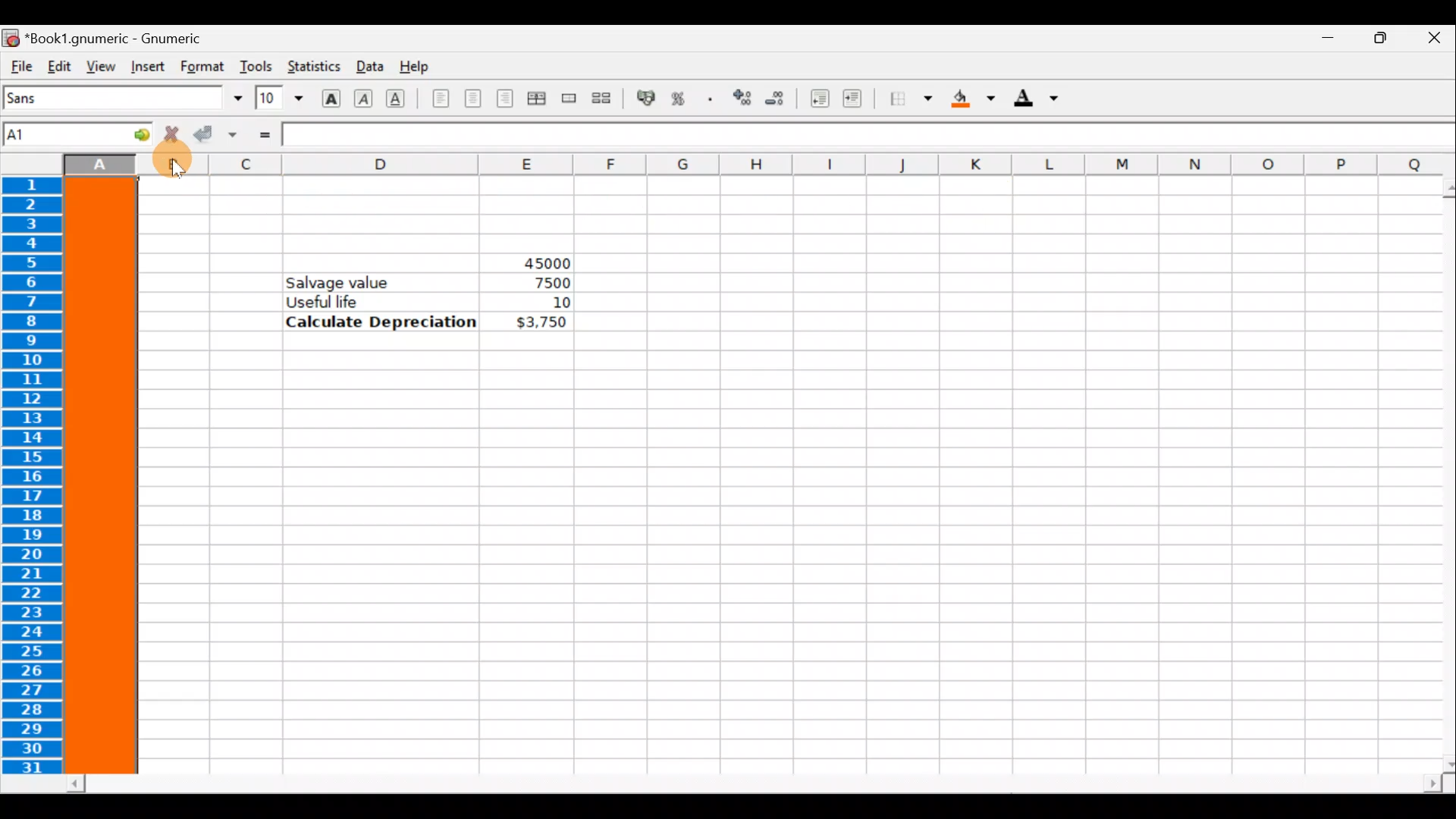 The height and width of the screenshot is (819, 1456). I want to click on Format the selection as accounting, so click(647, 100).